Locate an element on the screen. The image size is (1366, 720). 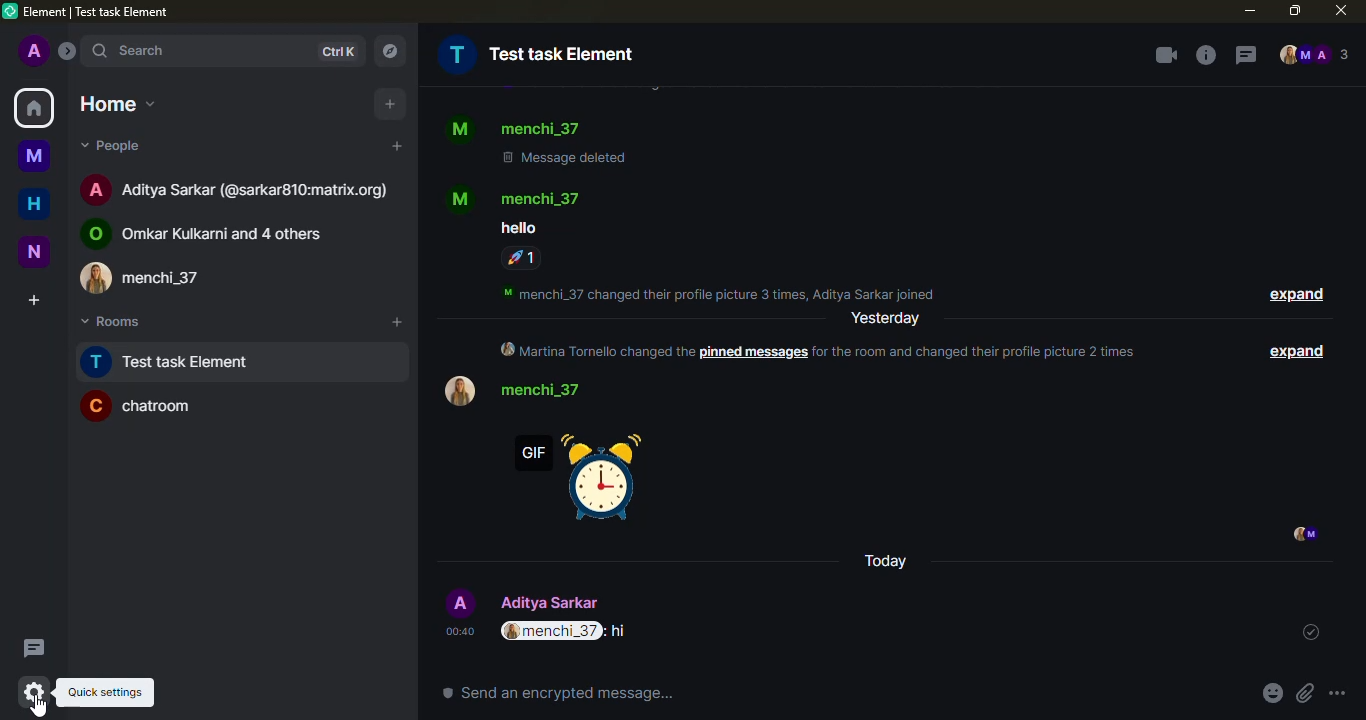
expand is located at coordinates (68, 50).